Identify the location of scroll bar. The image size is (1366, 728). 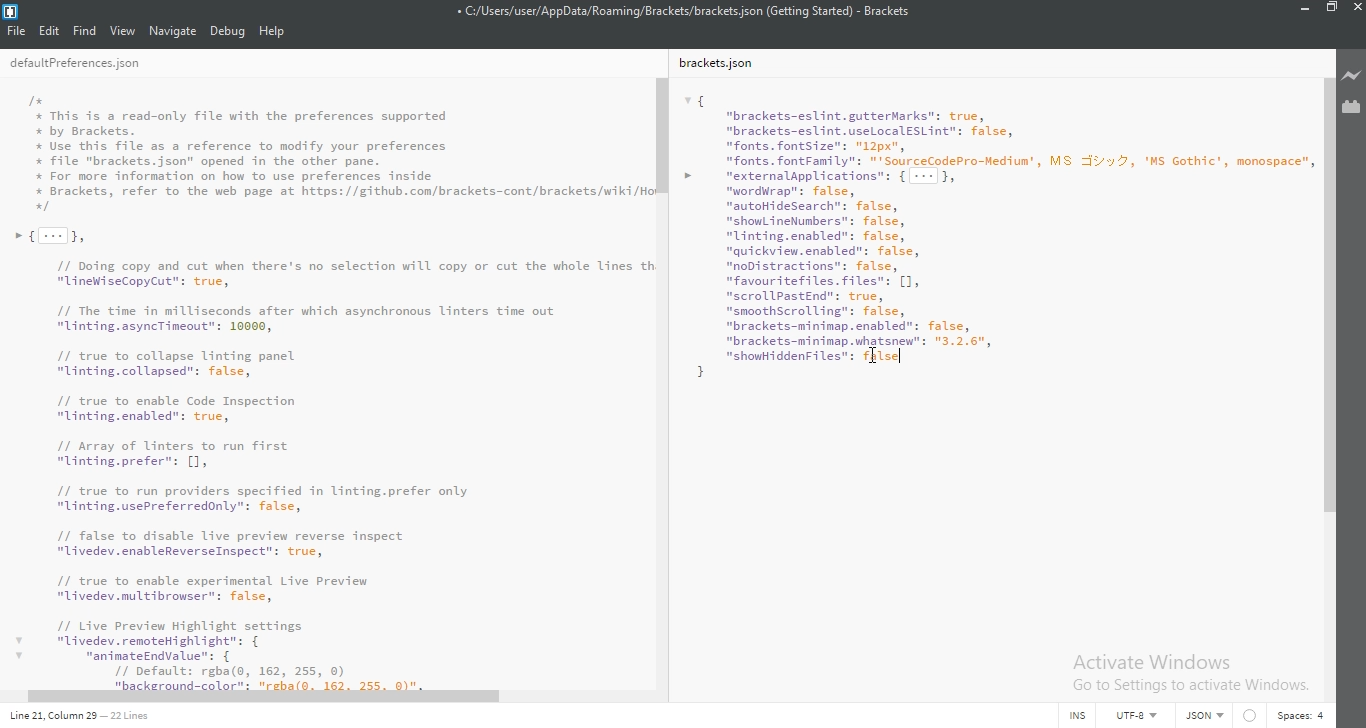
(1324, 294).